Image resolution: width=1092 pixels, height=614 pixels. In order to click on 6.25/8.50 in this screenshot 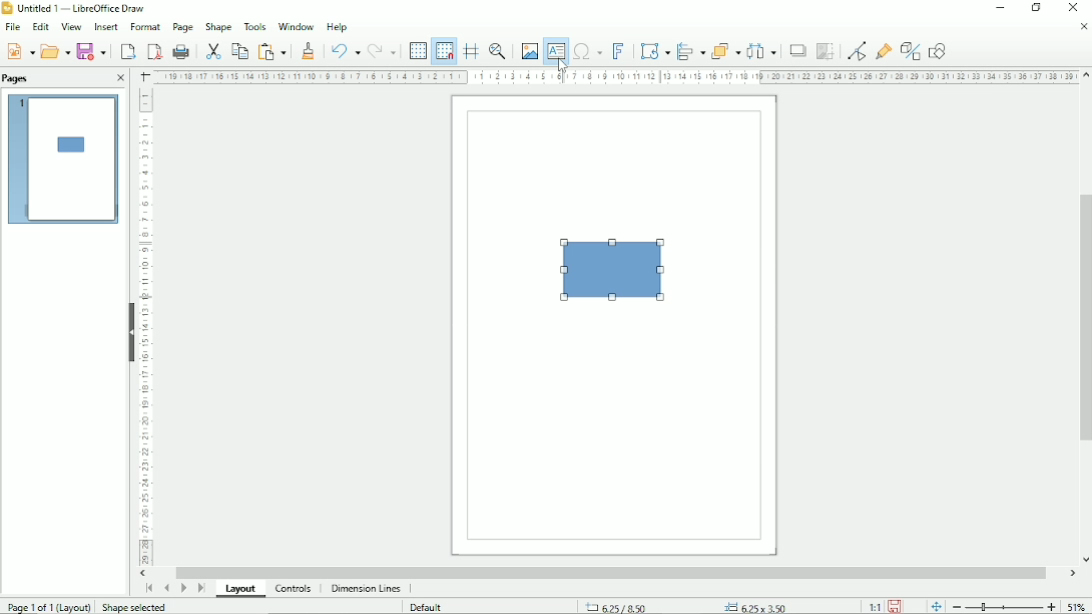, I will do `click(619, 606)`.